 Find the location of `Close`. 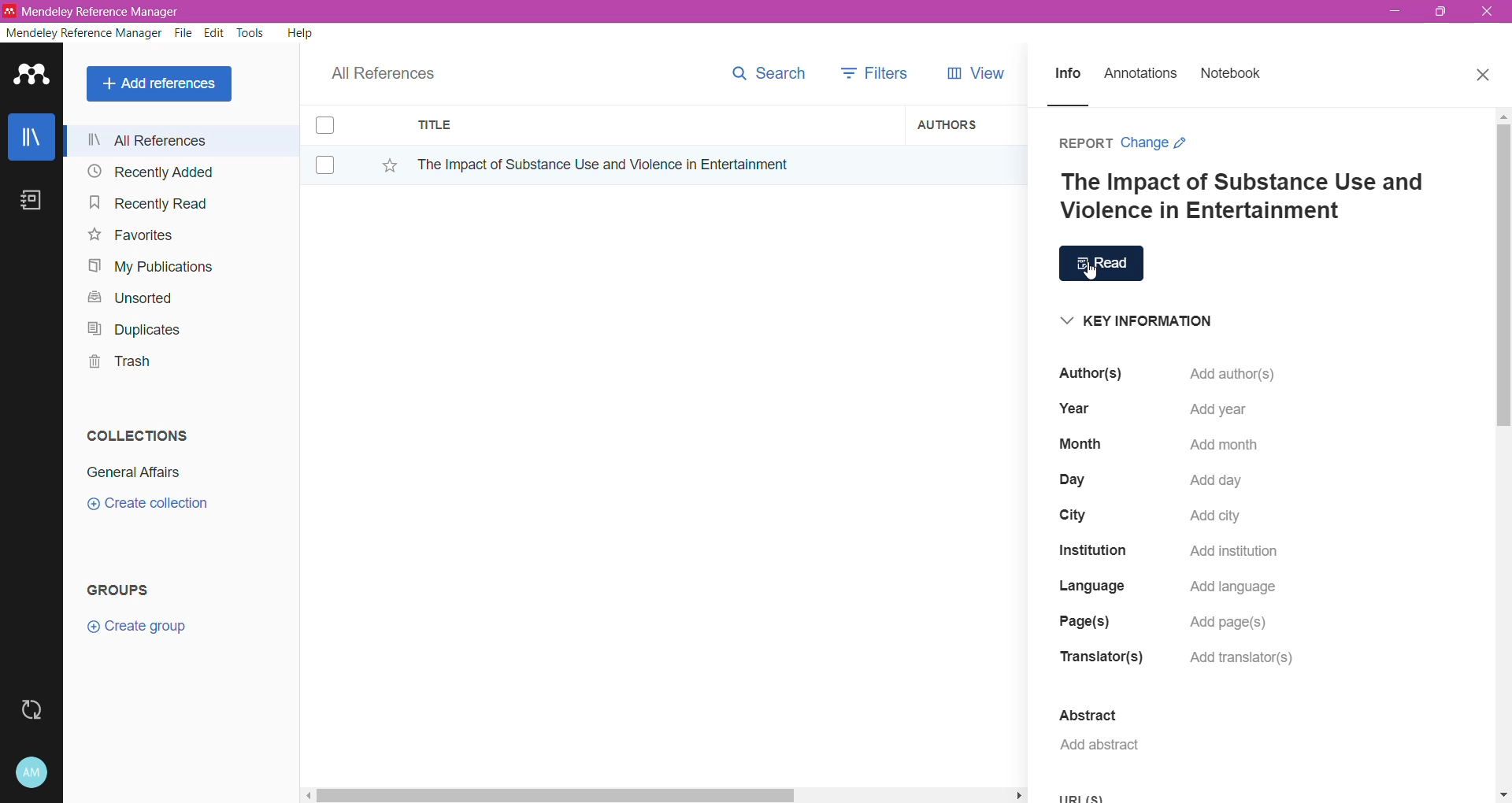

Close is located at coordinates (1482, 10).